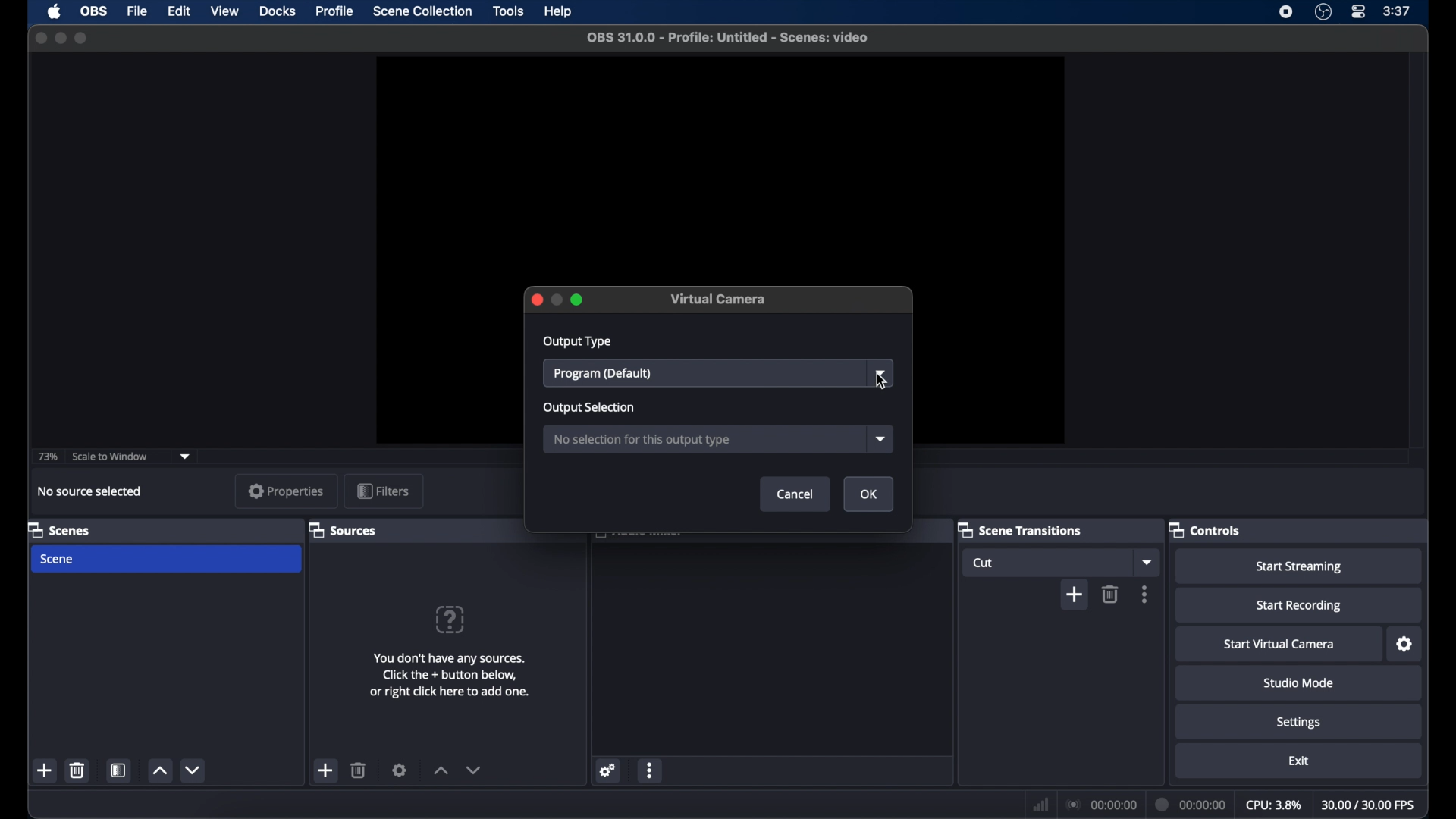 Image resolution: width=1456 pixels, height=819 pixels. What do you see at coordinates (473, 770) in the screenshot?
I see `decrement` at bounding box center [473, 770].